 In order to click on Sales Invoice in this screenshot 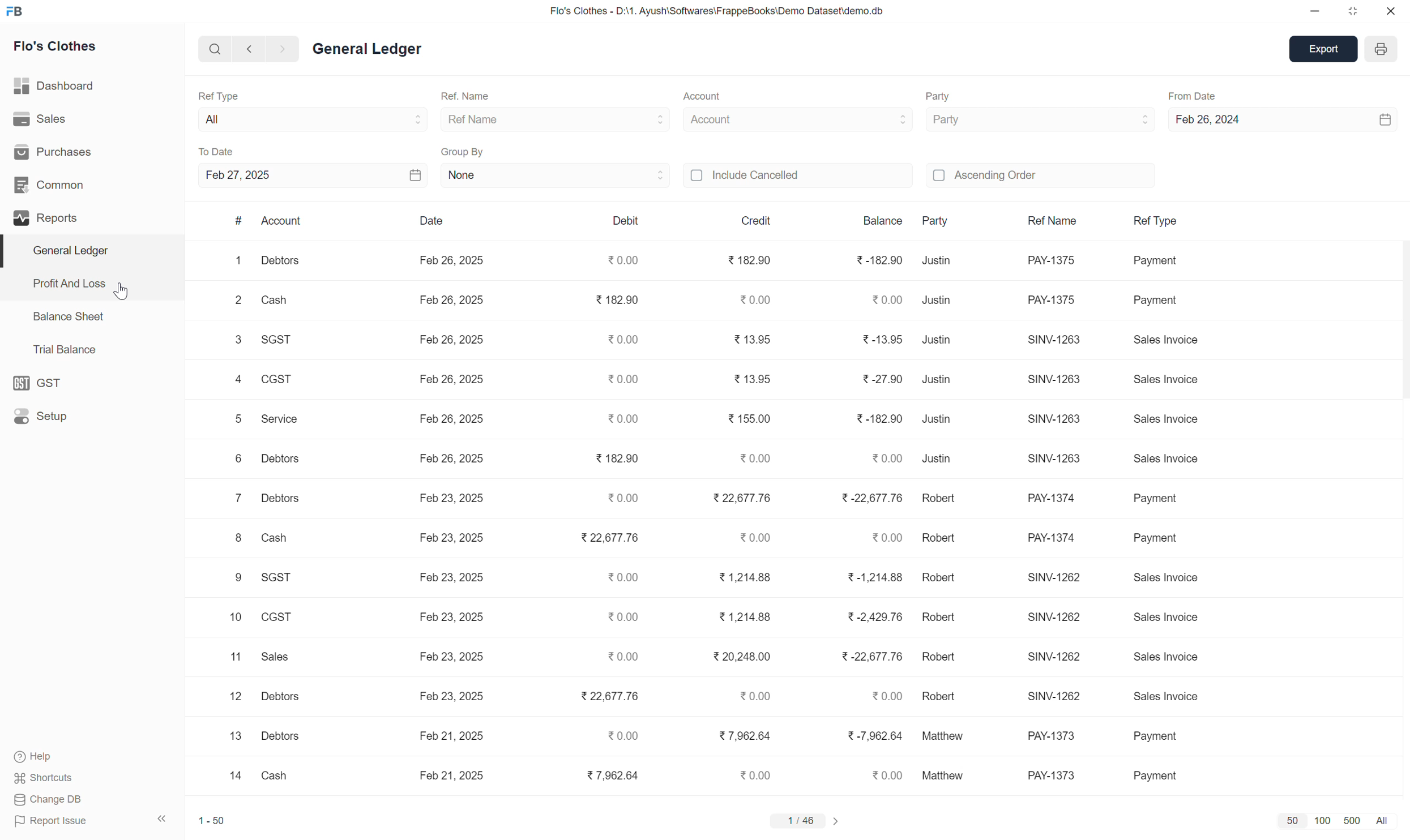, I will do `click(1169, 697)`.